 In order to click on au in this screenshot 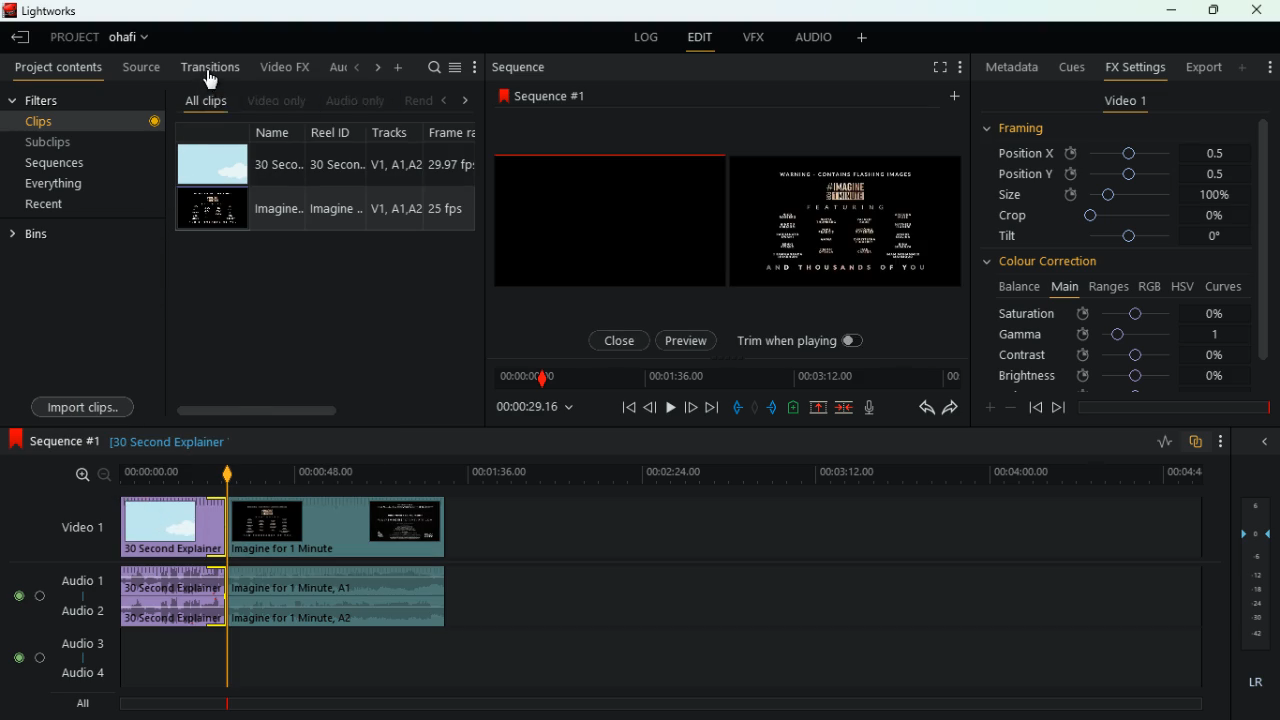, I will do `click(334, 67)`.